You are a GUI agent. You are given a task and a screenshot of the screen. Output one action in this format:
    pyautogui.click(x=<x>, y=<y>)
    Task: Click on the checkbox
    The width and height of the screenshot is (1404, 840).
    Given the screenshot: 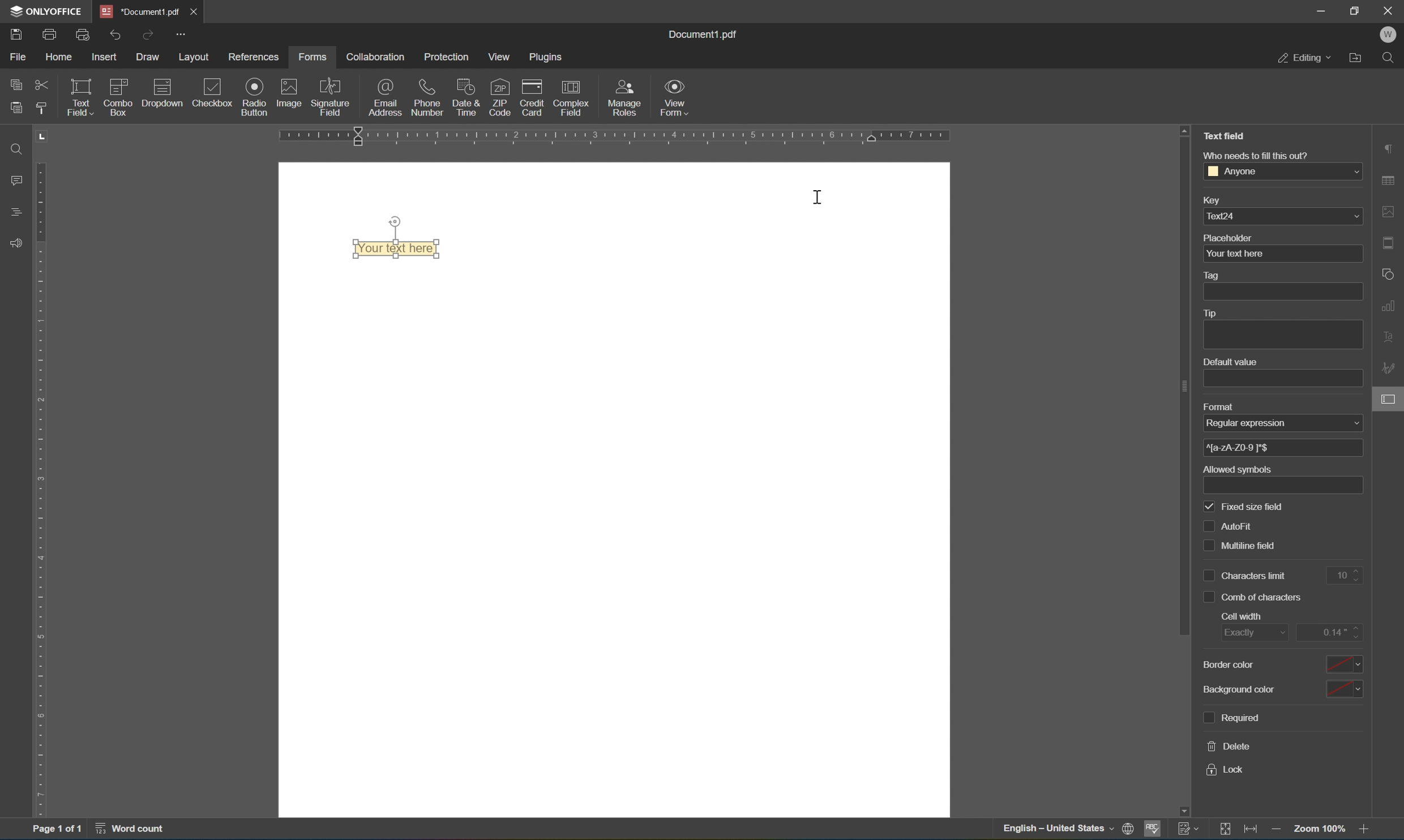 What is the action you would take?
    pyautogui.click(x=215, y=94)
    